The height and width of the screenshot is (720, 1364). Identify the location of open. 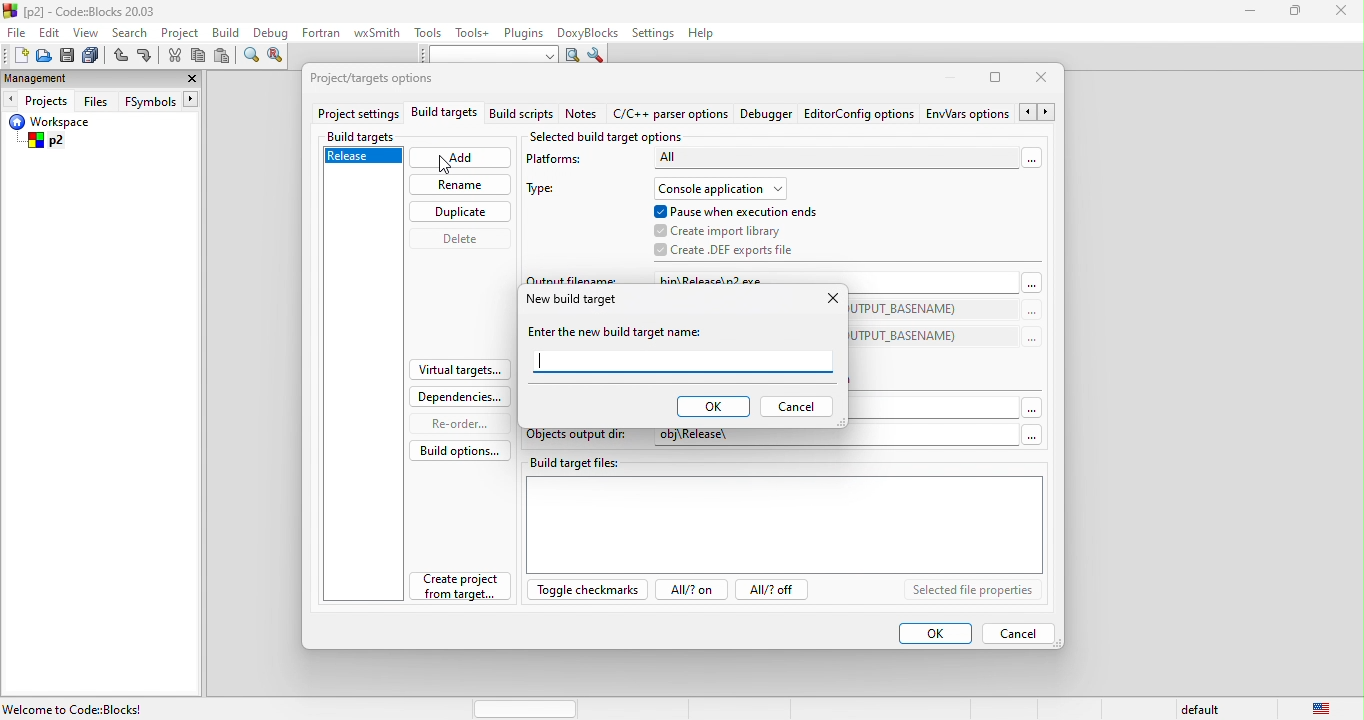
(44, 56).